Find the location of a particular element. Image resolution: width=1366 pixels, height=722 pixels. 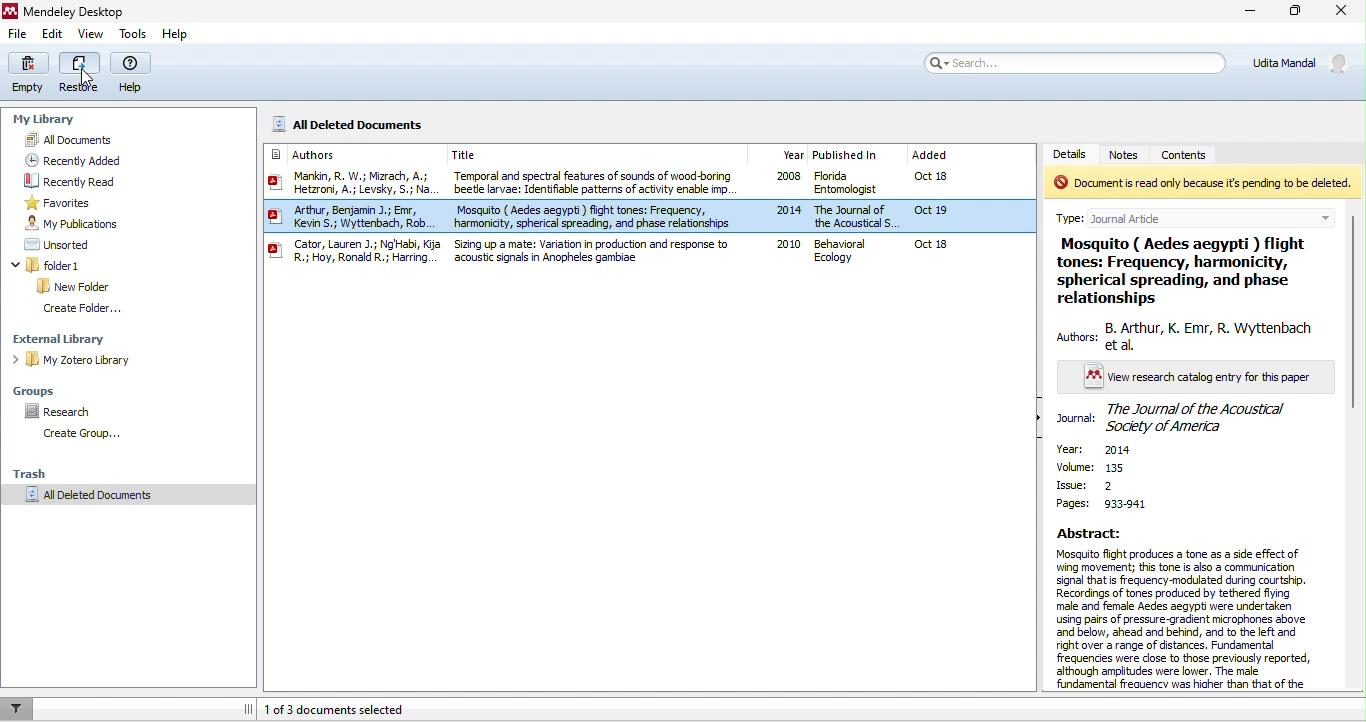

title is located at coordinates (490, 155).